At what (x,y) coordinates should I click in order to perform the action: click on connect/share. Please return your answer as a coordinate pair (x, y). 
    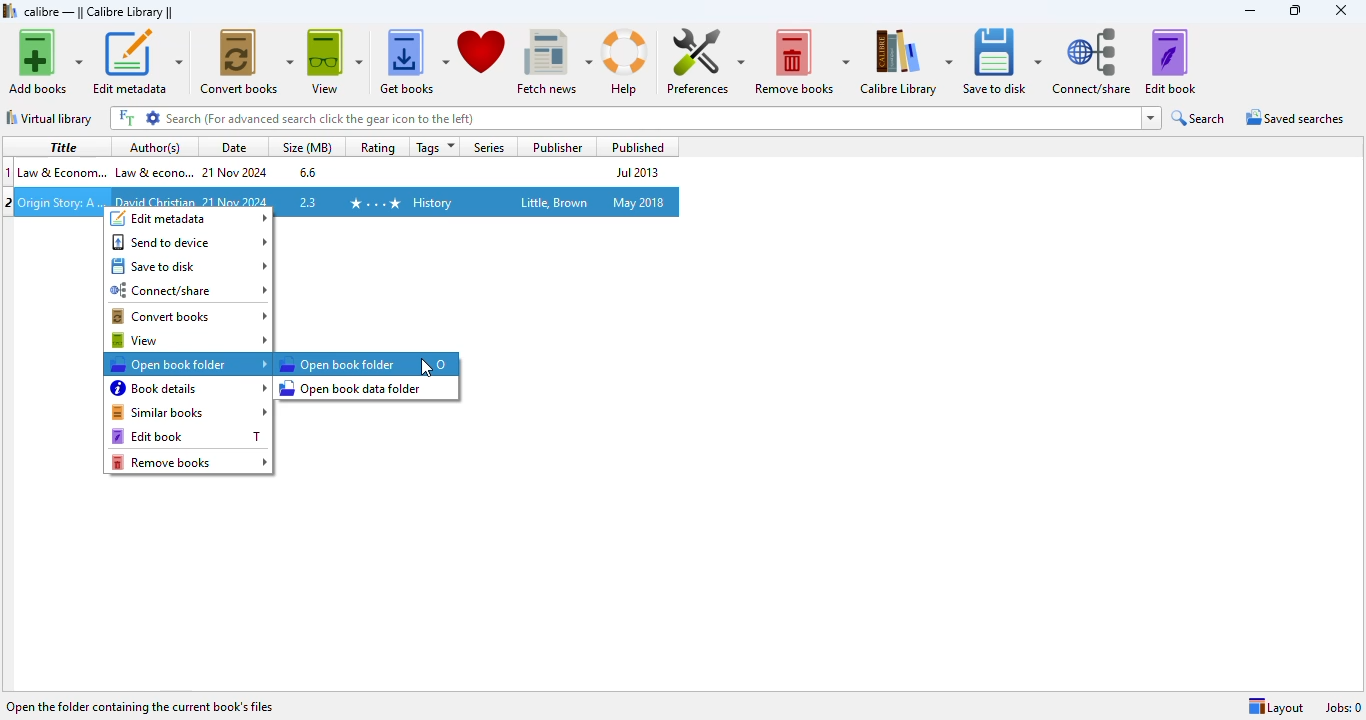
    Looking at the image, I should click on (1092, 62).